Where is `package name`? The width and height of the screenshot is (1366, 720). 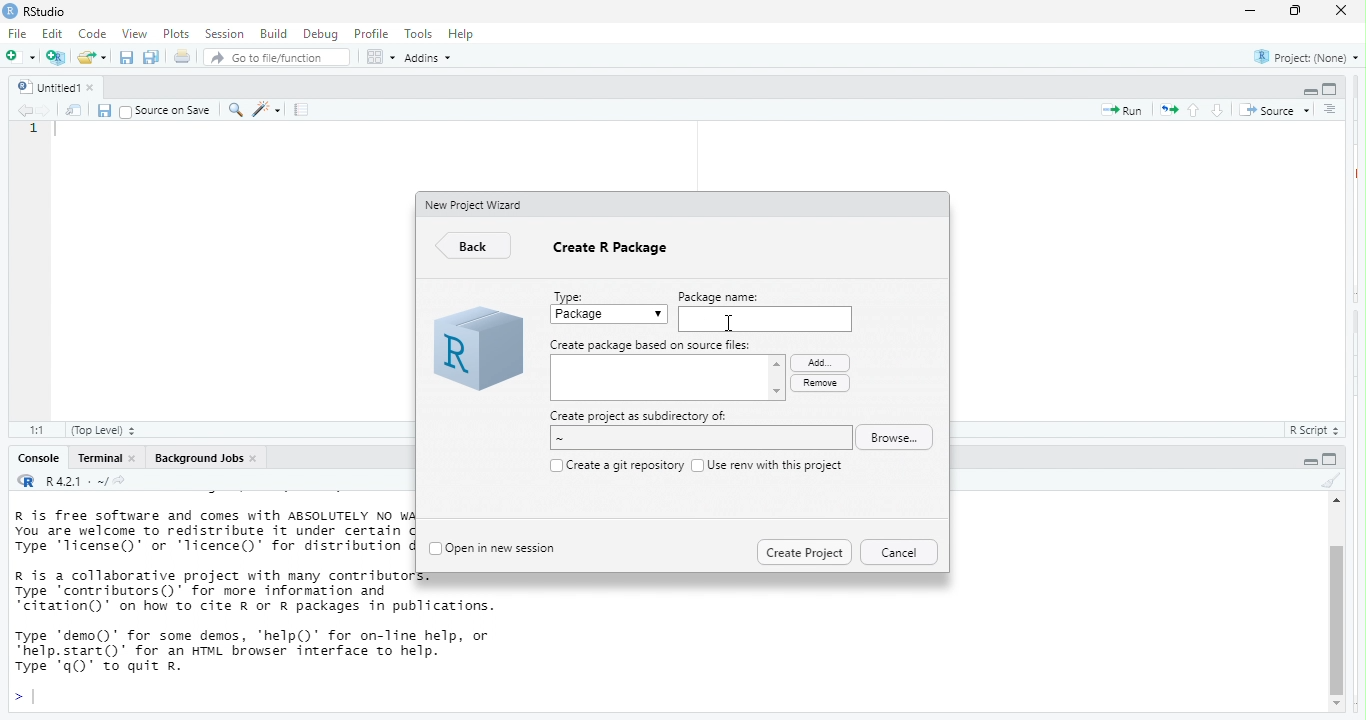 package name is located at coordinates (764, 318).